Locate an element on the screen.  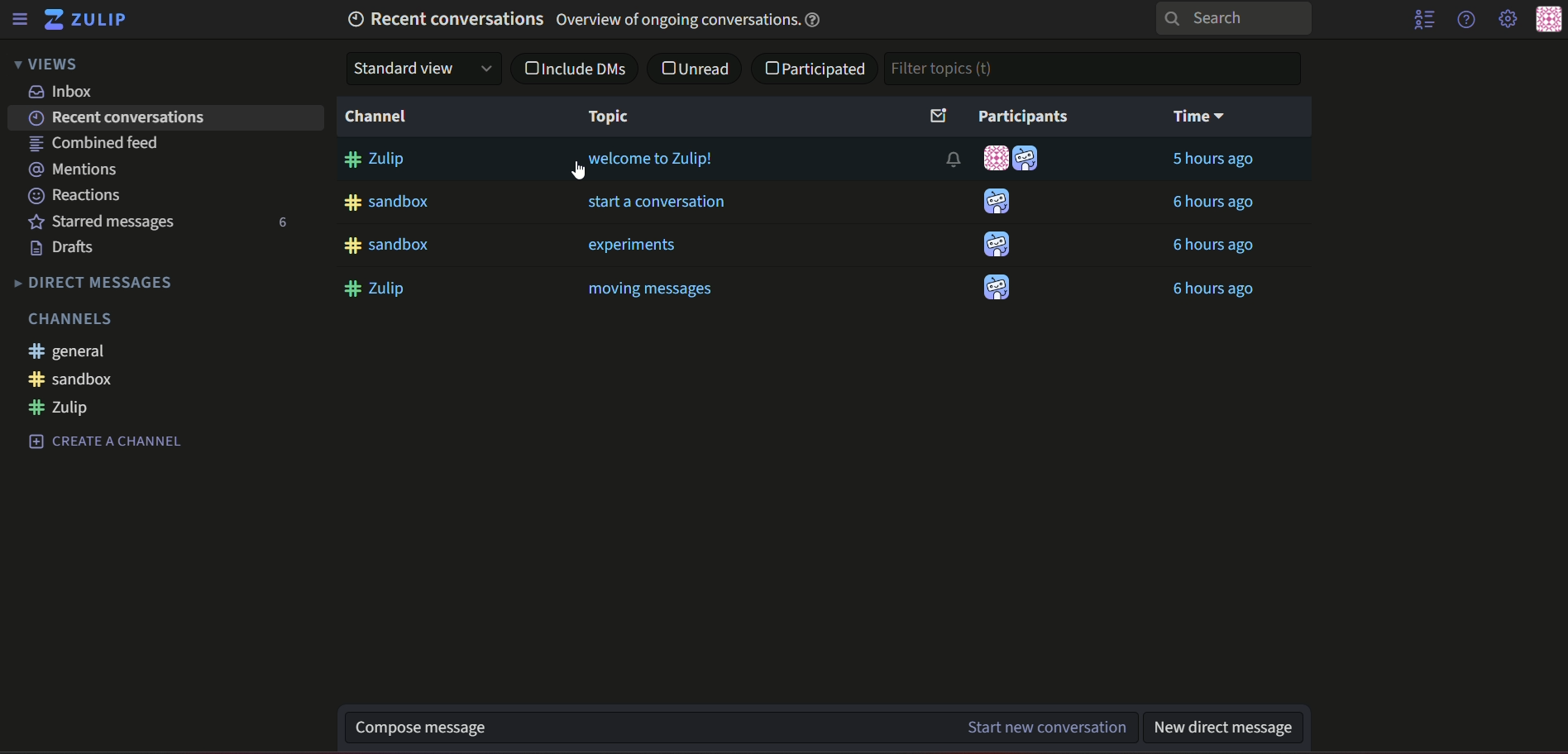
Starred Messages is located at coordinates (107, 222).